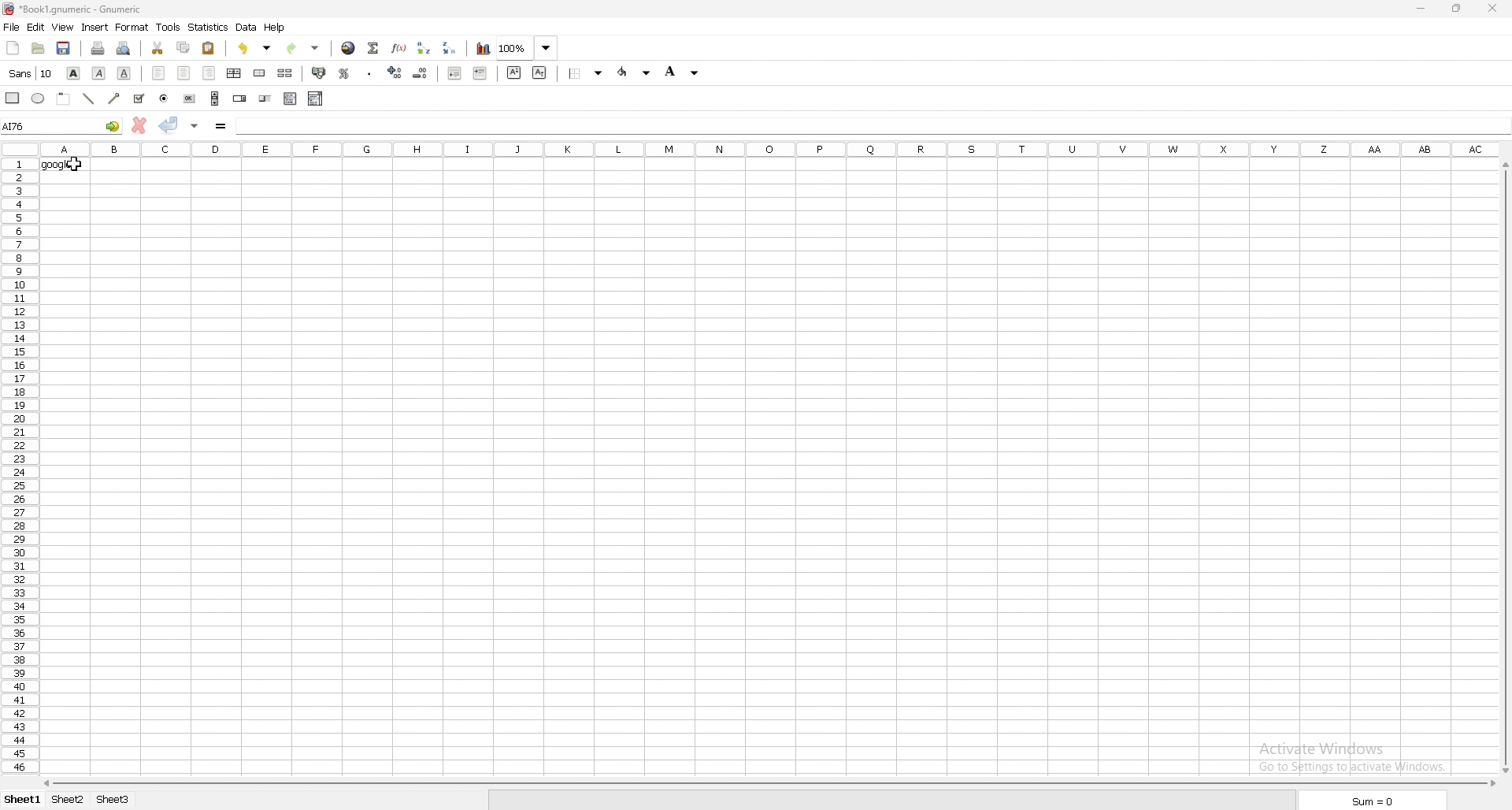 The height and width of the screenshot is (810, 1512). What do you see at coordinates (66, 165) in the screenshot?
I see `google` at bounding box center [66, 165].